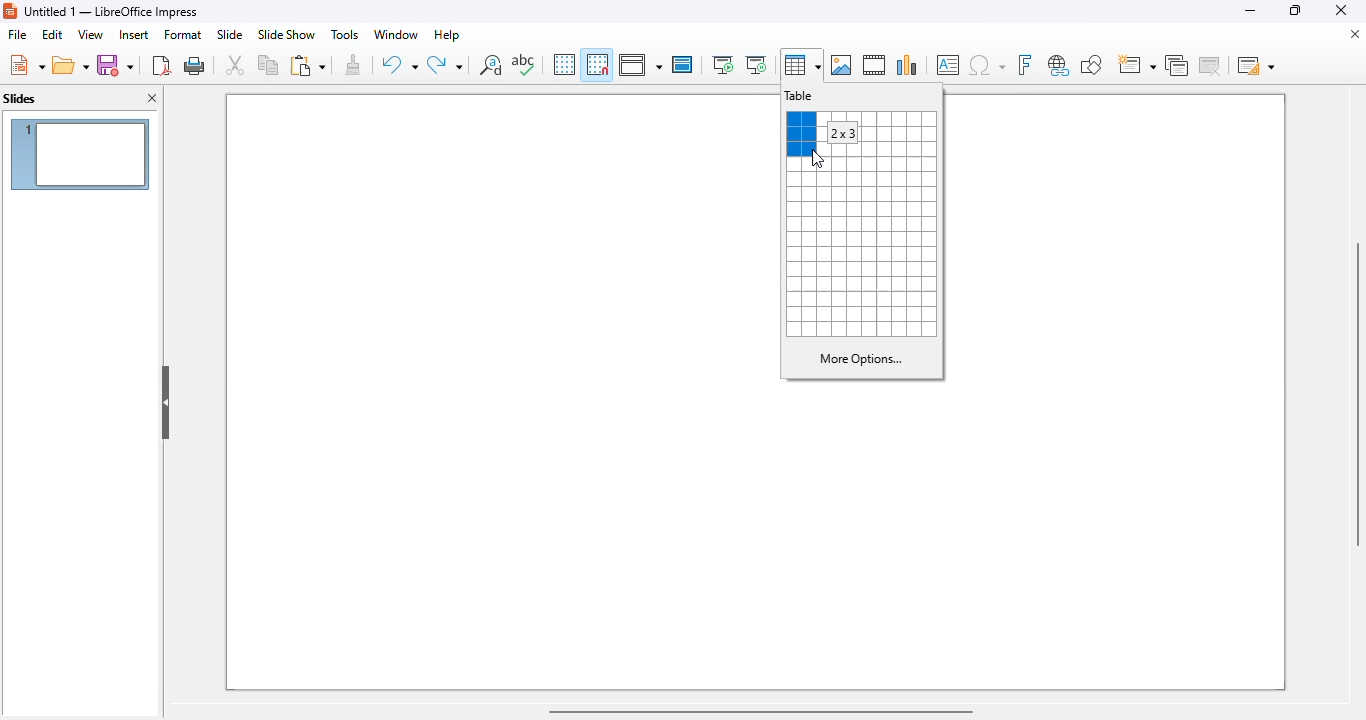 Image resolution: width=1366 pixels, height=720 pixels. I want to click on print, so click(195, 66).